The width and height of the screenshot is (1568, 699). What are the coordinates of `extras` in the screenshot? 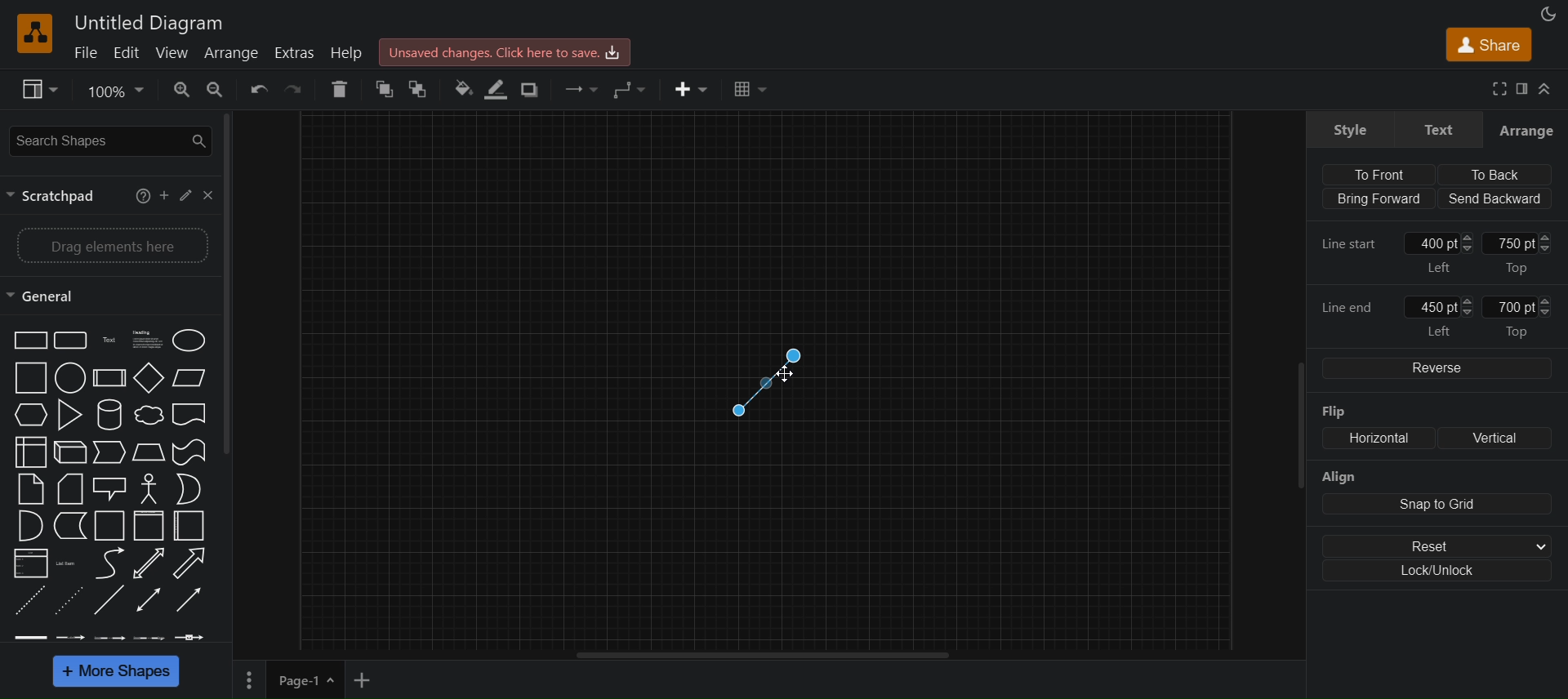 It's located at (295, 53).